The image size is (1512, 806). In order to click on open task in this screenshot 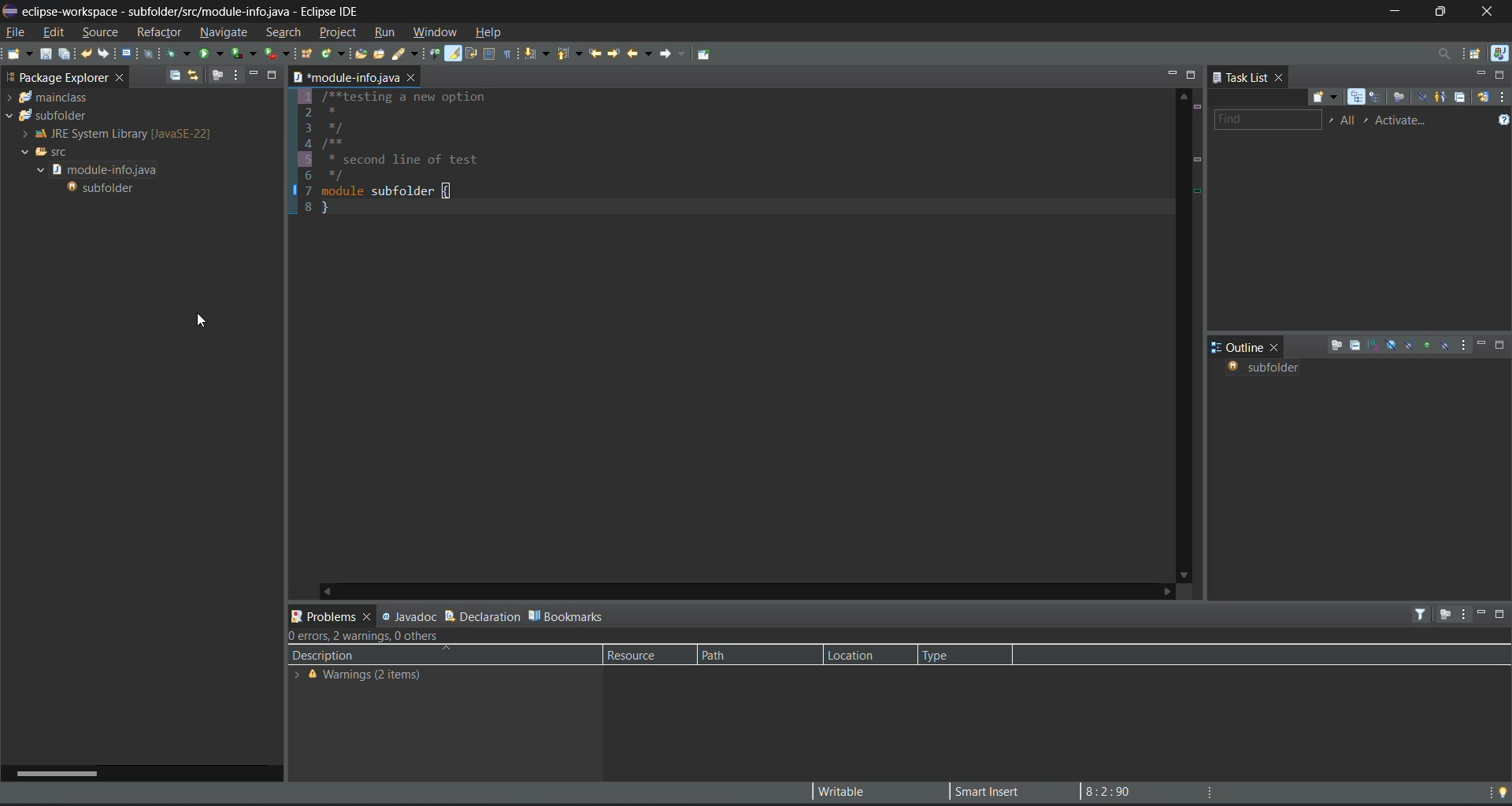, I will do `click(383, 57)`.